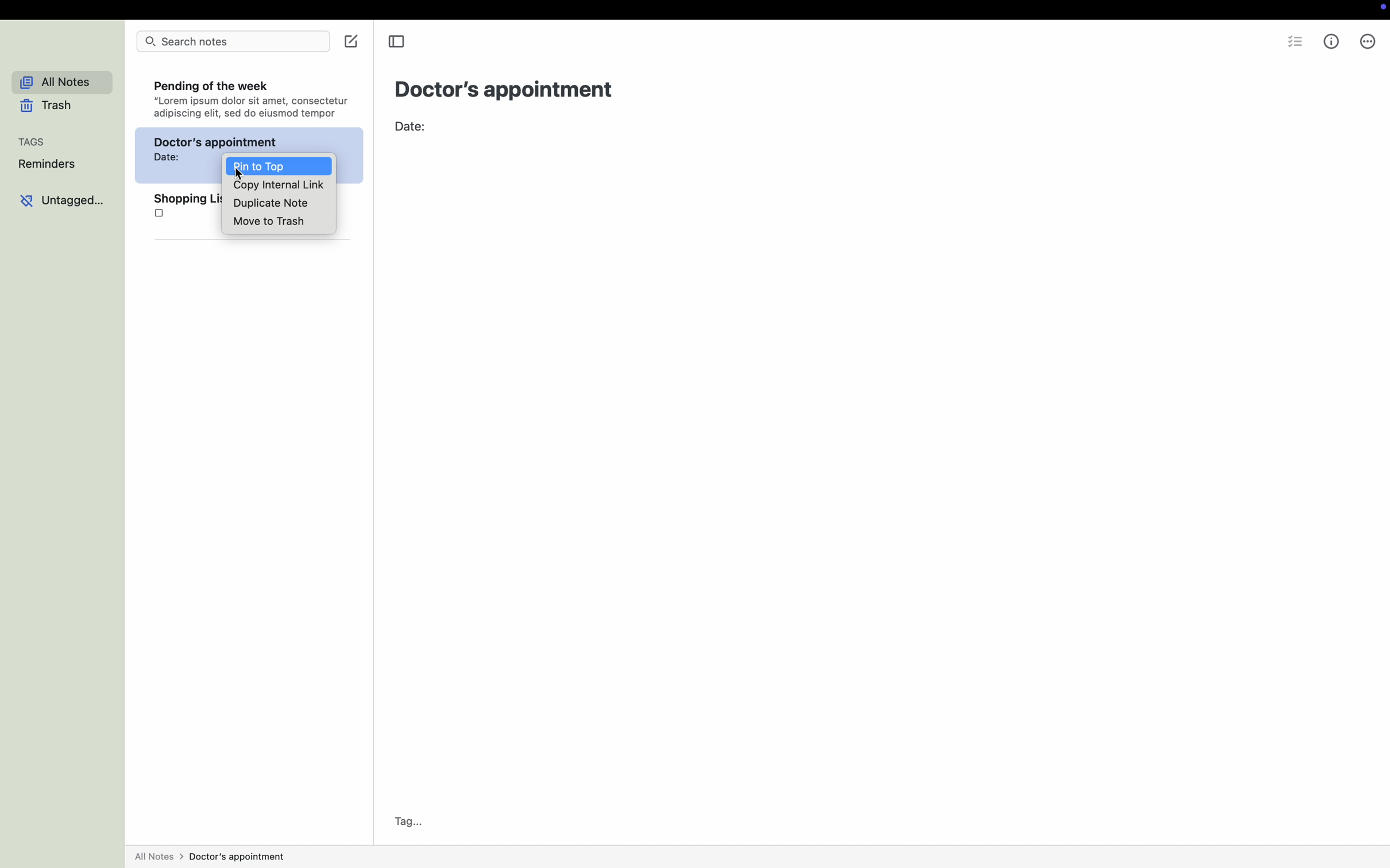 This screenshot has width=1390, height=868. Describe the element at coordinates (408, 822) in the screenshot. I see `tag` at that location.